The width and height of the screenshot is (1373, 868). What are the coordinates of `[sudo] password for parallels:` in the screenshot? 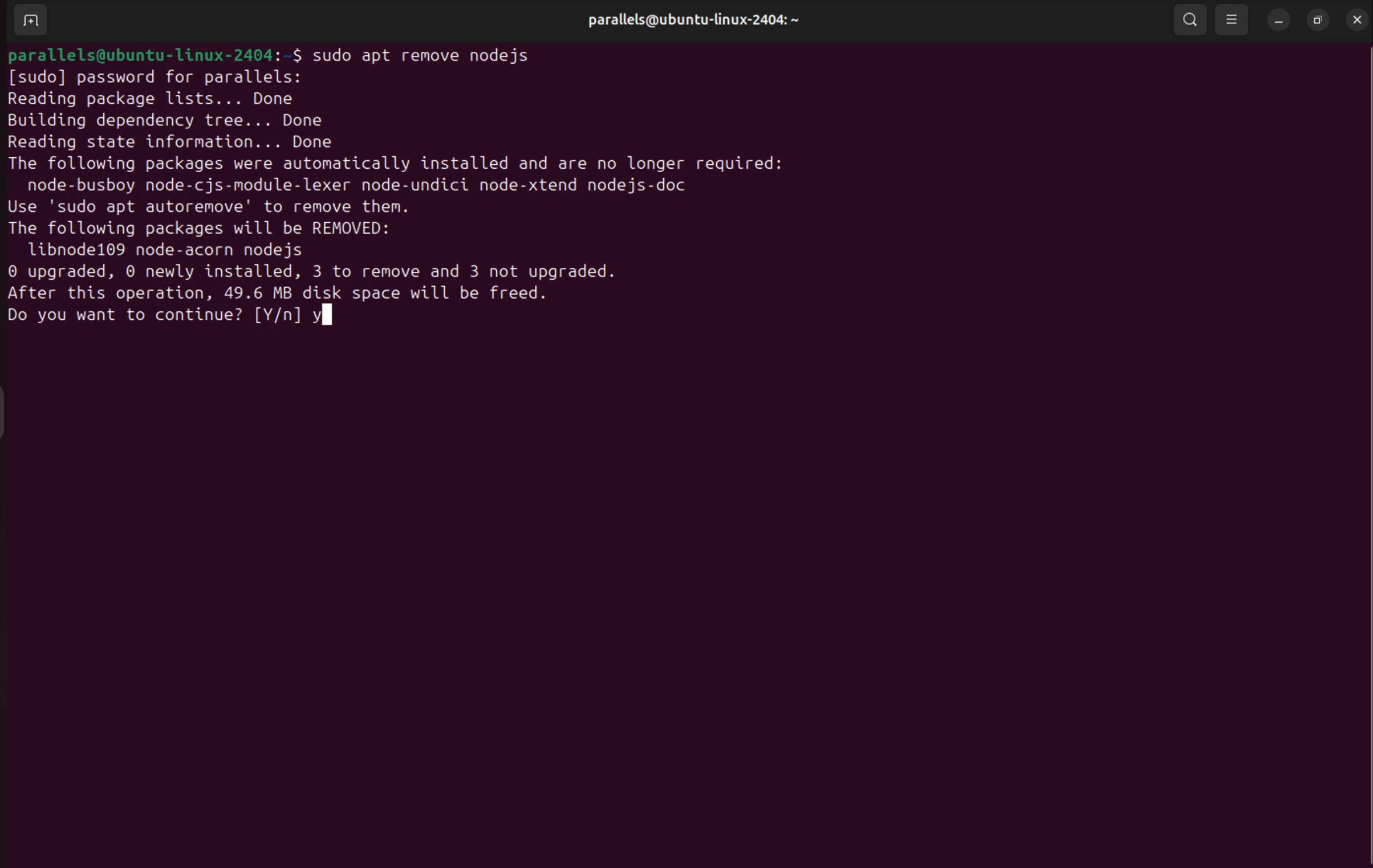 It's located at (157, 76).